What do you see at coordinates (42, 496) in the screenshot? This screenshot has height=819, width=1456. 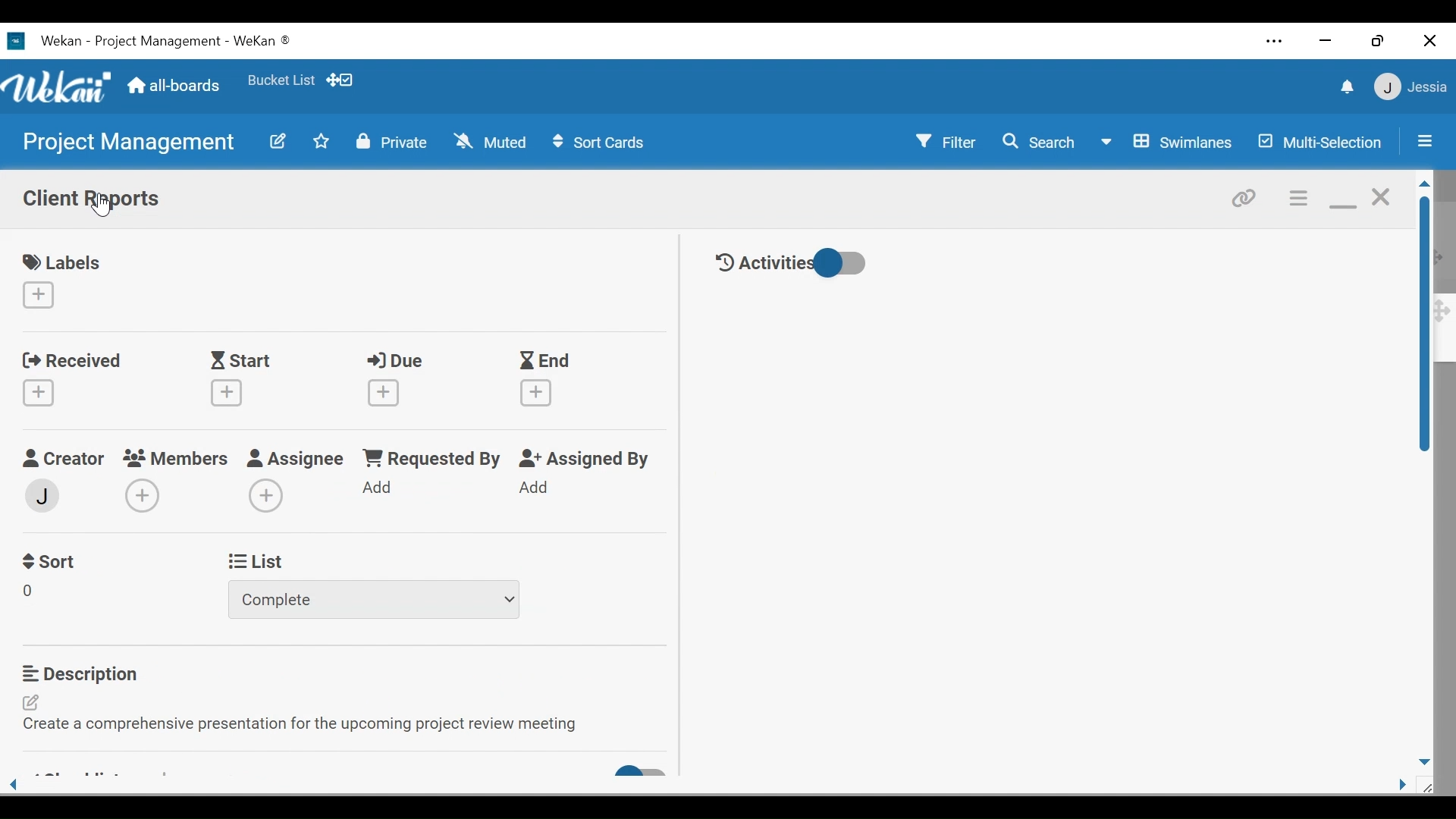 I see `Member` at bounding box center [42, 496].